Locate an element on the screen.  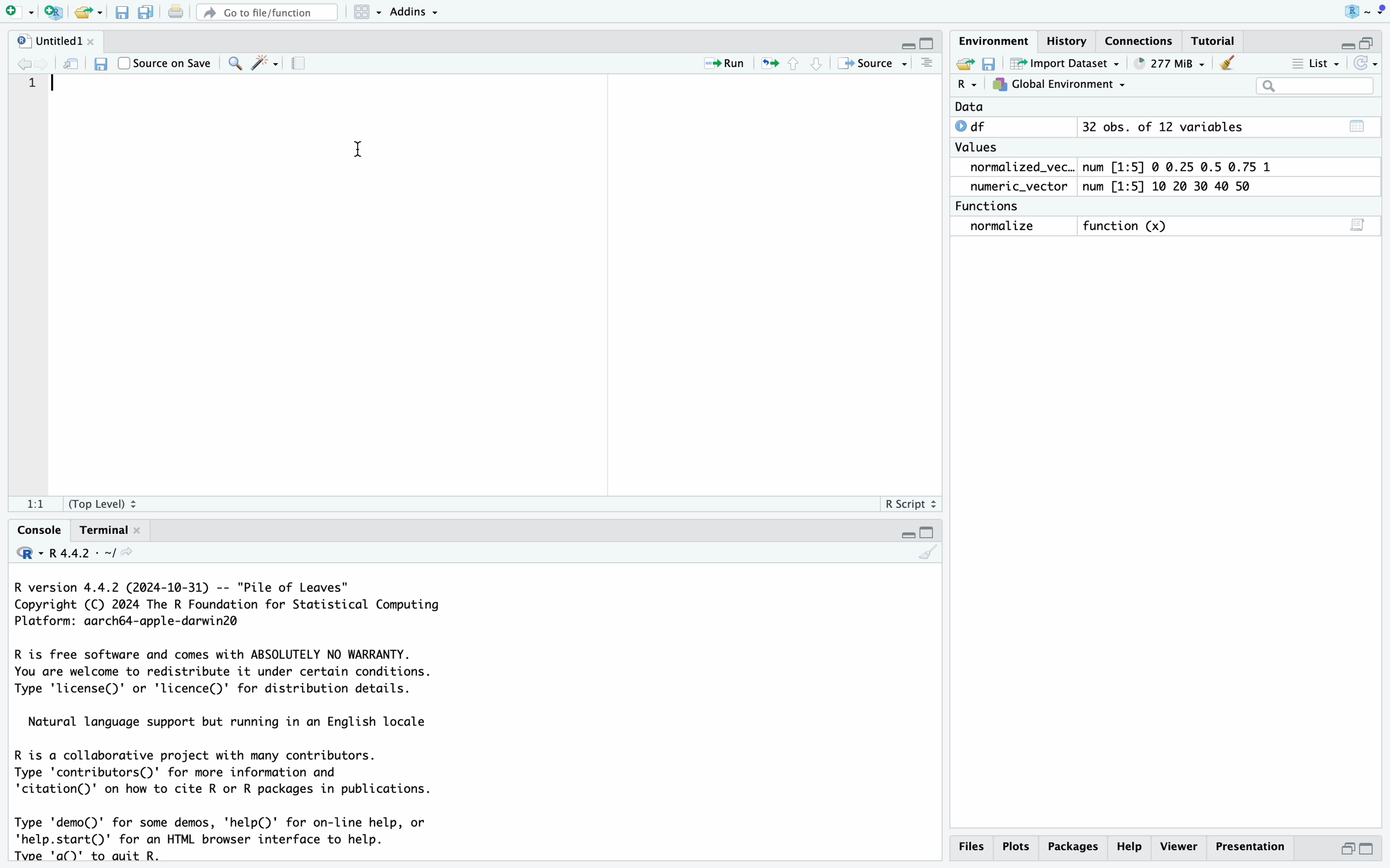
publish is located at coordinates (771, 64).